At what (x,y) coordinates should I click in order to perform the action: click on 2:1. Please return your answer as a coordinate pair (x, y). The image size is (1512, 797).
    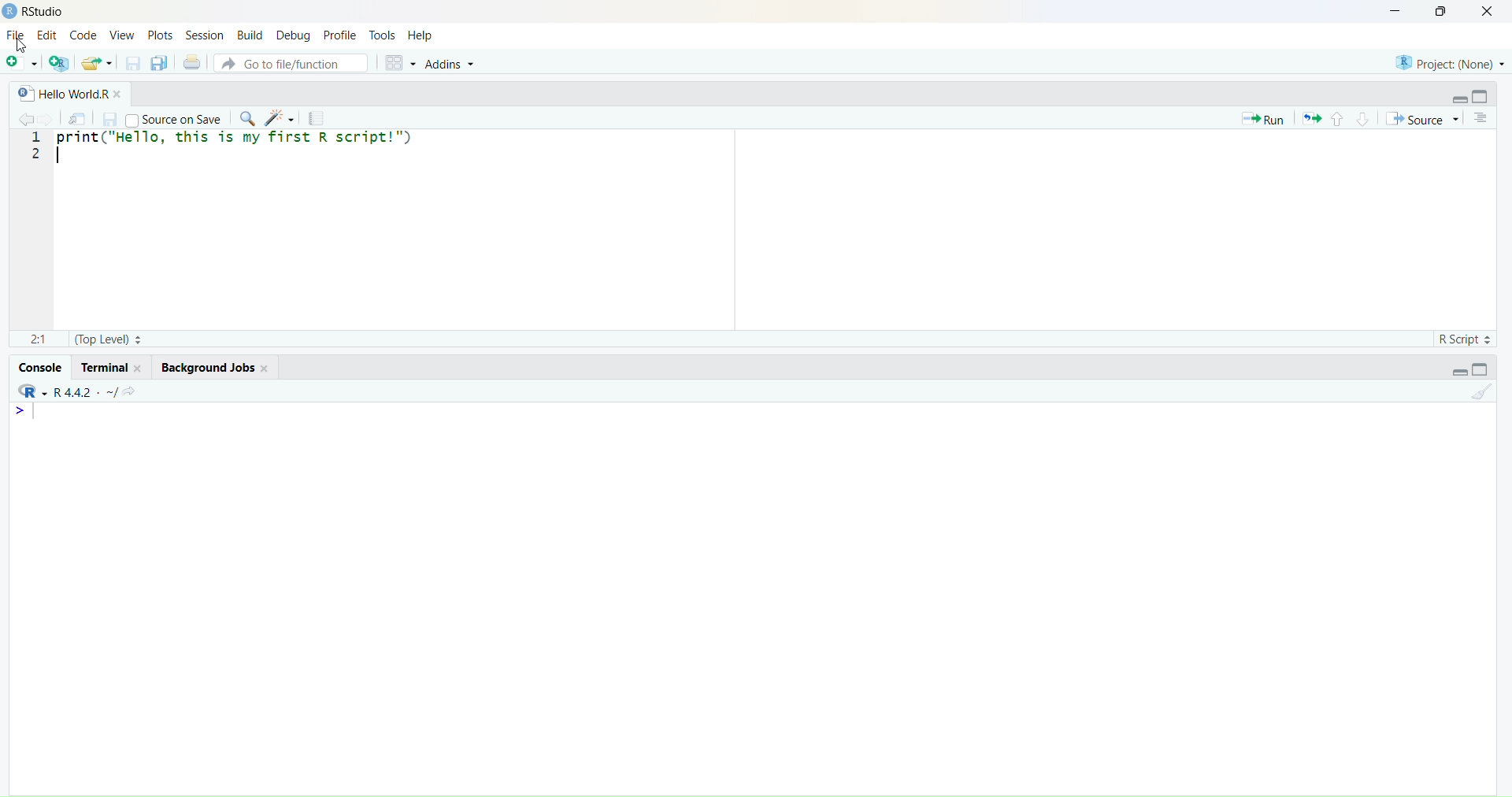
    Looking at the image, I should click on (35, 336).